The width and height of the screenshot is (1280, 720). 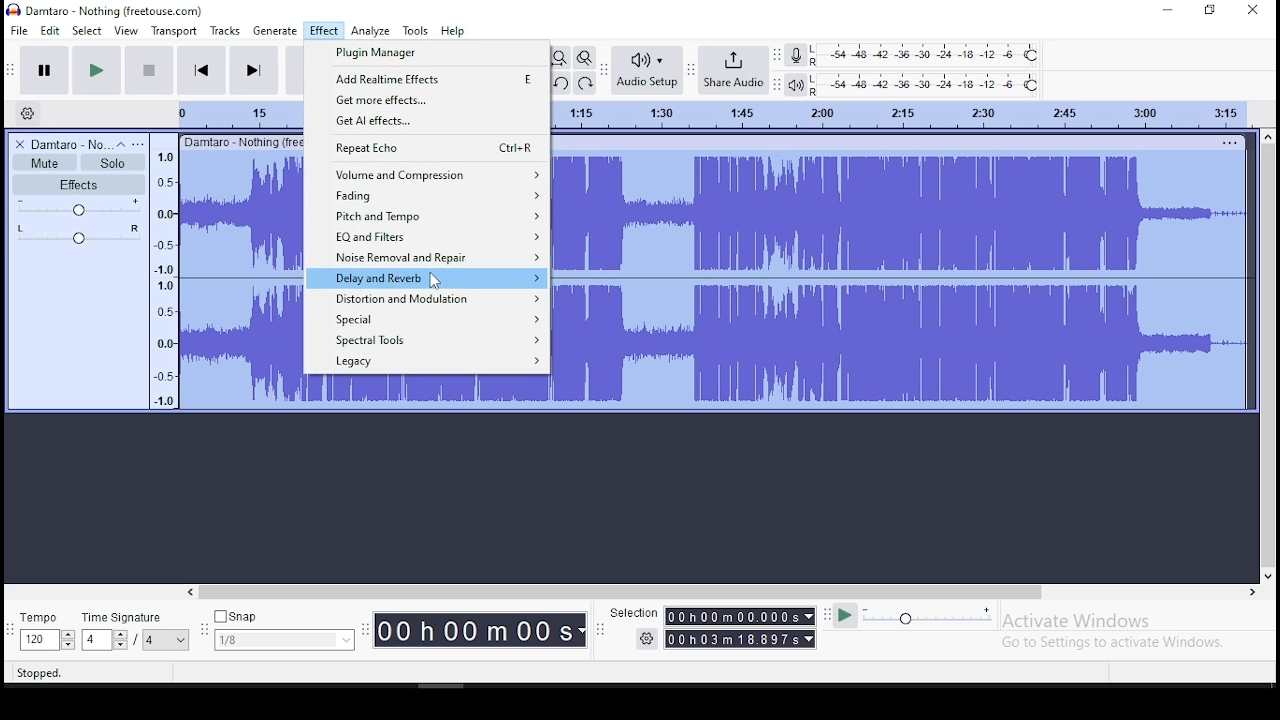 I want to click on solo, so click(x=113, y=163).